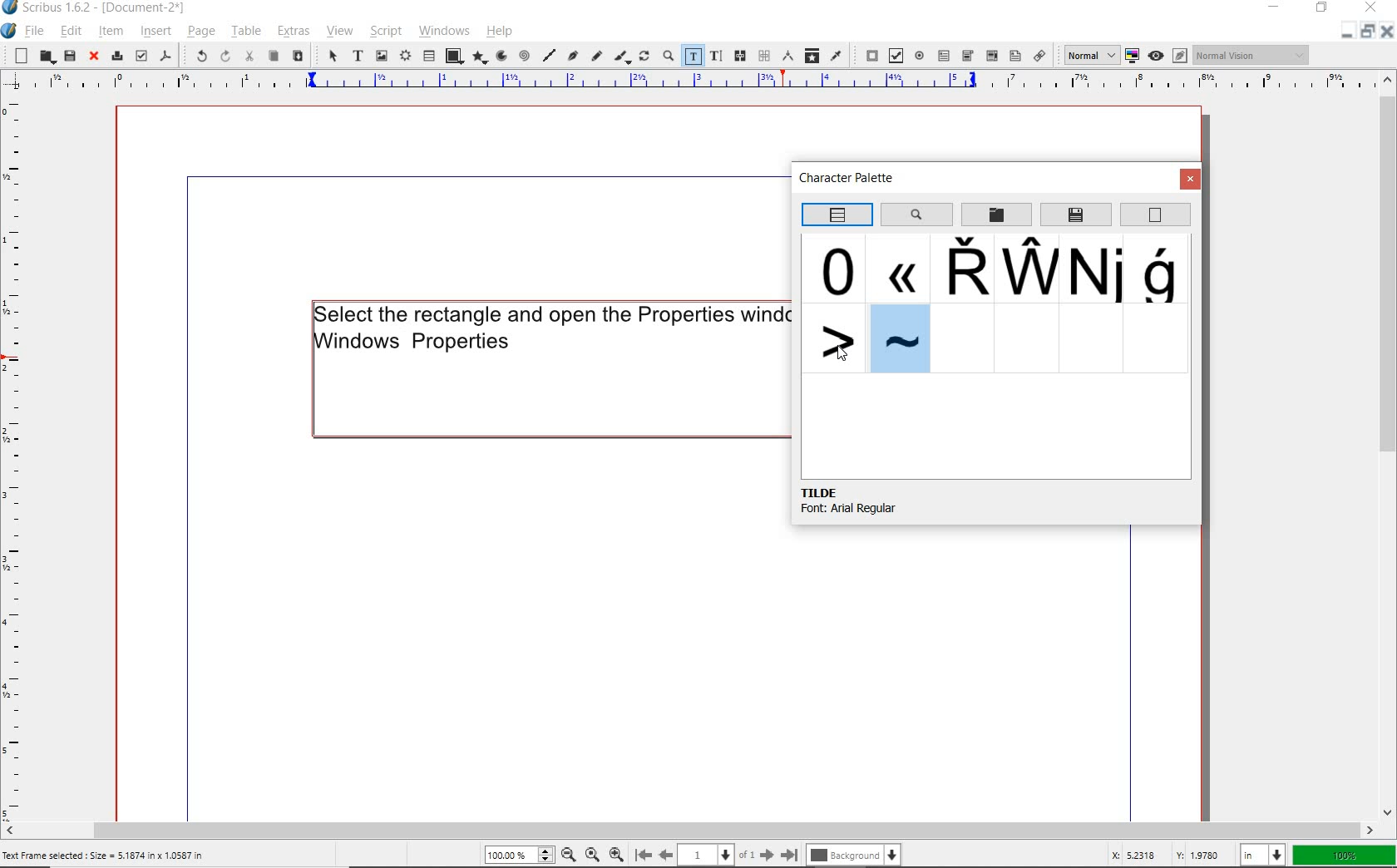 Image resolution: width=1397 pixels, height=868 pixels. What do you see at coordinates (767, 854) in the screenshot?
I see `go to next page` at bounding box center [767, 854].